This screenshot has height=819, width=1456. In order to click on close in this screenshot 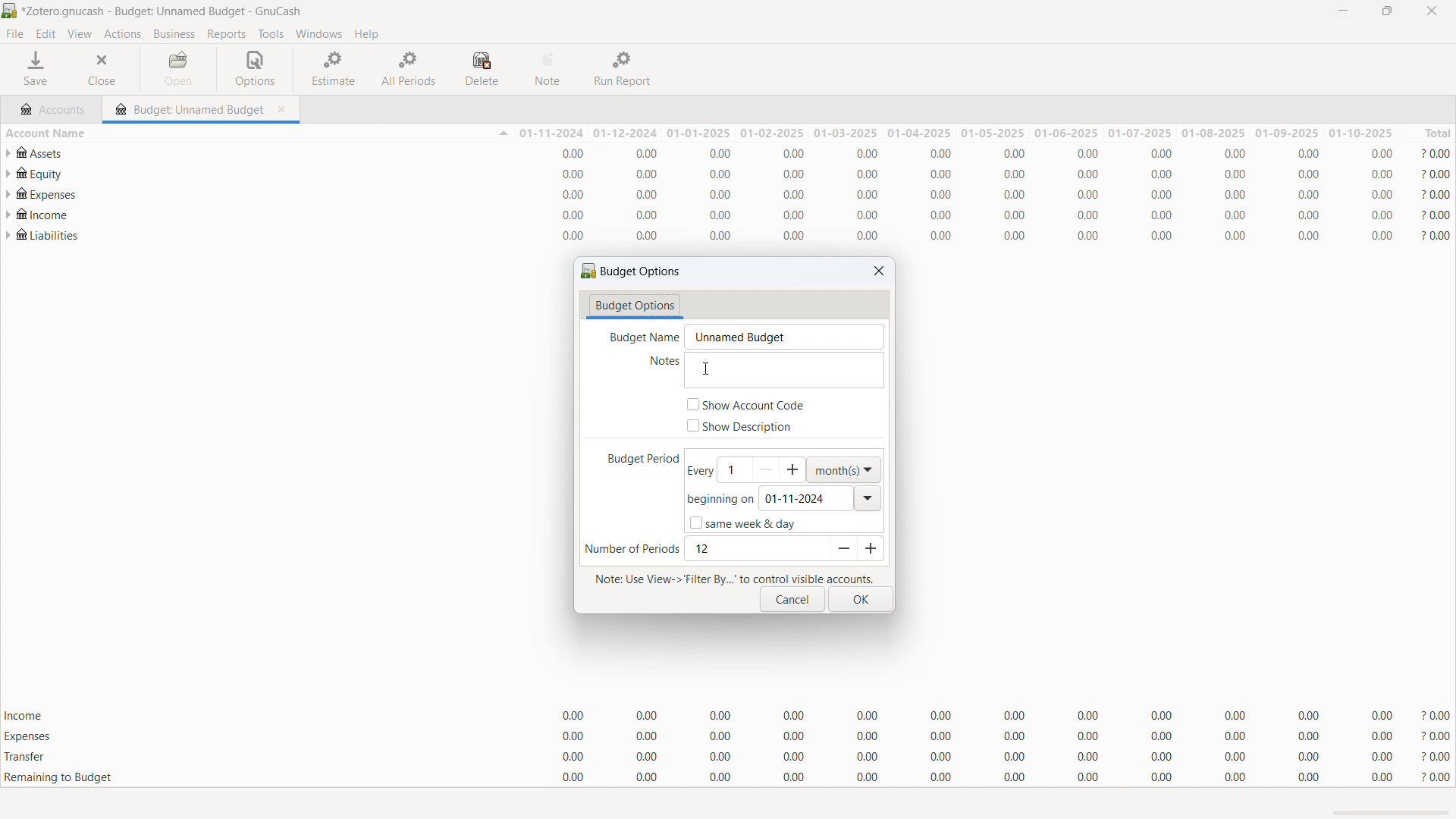, I will do `click(879, 271)`.